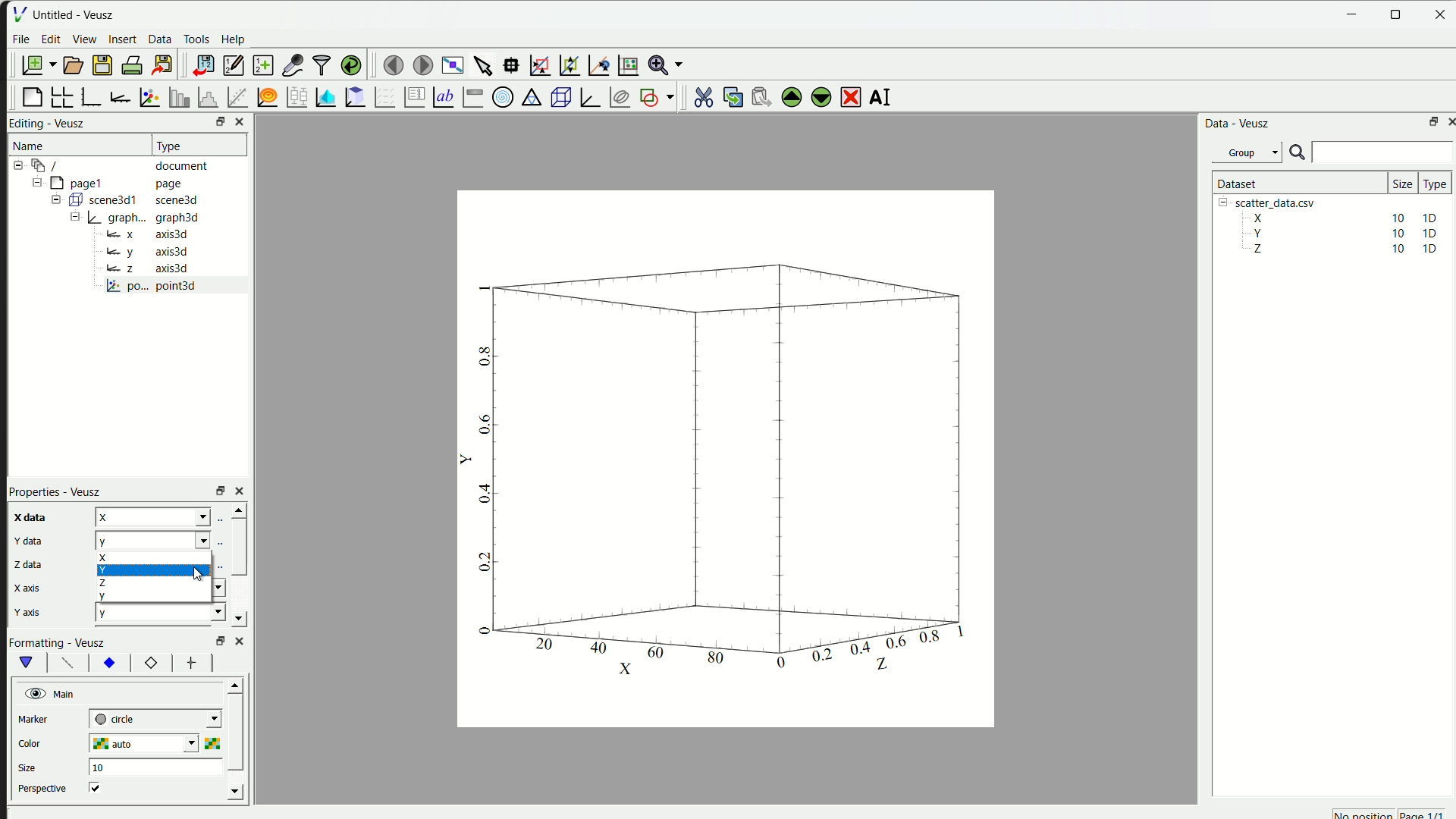 The height and width of the screenshot is (819, 1456). Describe the element at coordinates (39, 719) in the screenshot. I see `marker` at that location.